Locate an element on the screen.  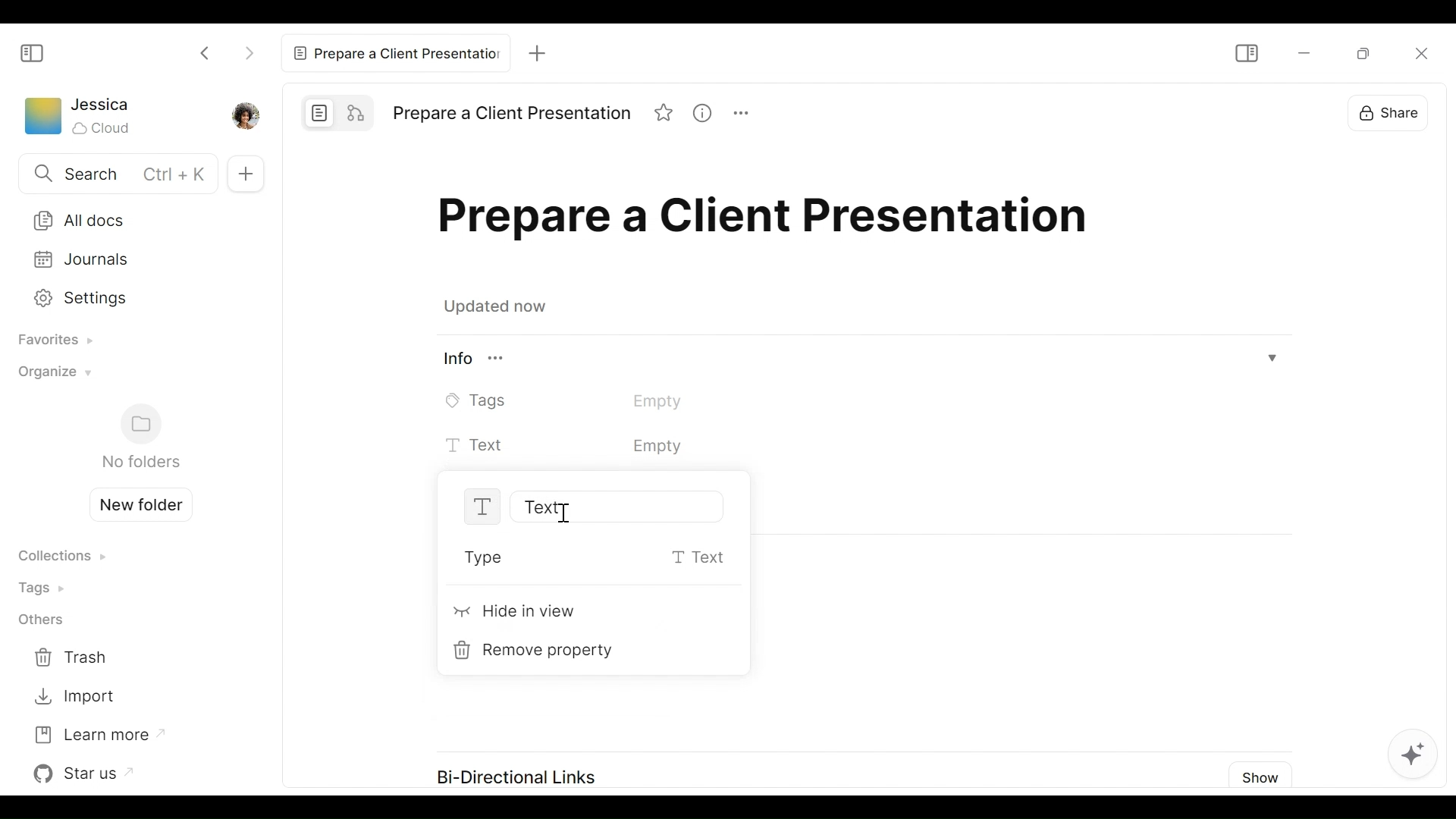
Title is located at coordinates (511, 114).